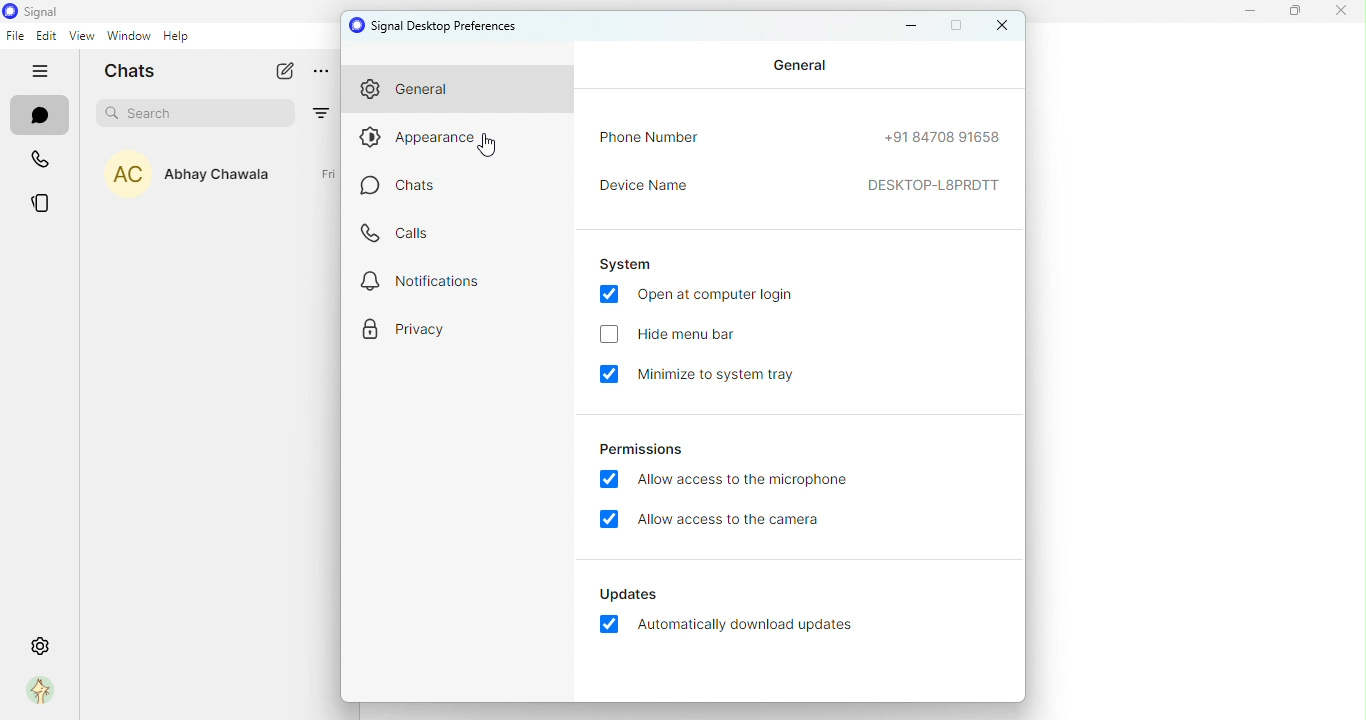 The height and width of the screenshot is (720, 1366). Describe the element at coordinates (957, 25) in the screenshot. I see `maximize` at that location.